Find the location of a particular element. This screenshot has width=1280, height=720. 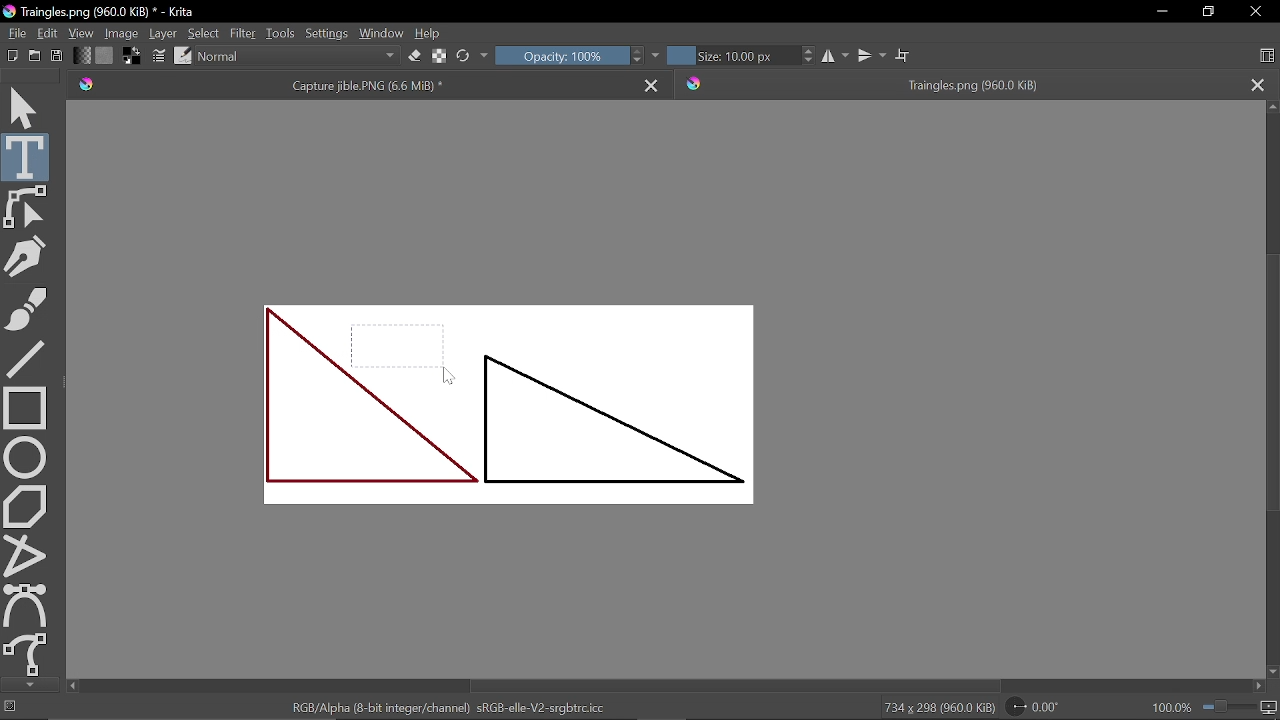

Save is located at coordinates (57, 57).